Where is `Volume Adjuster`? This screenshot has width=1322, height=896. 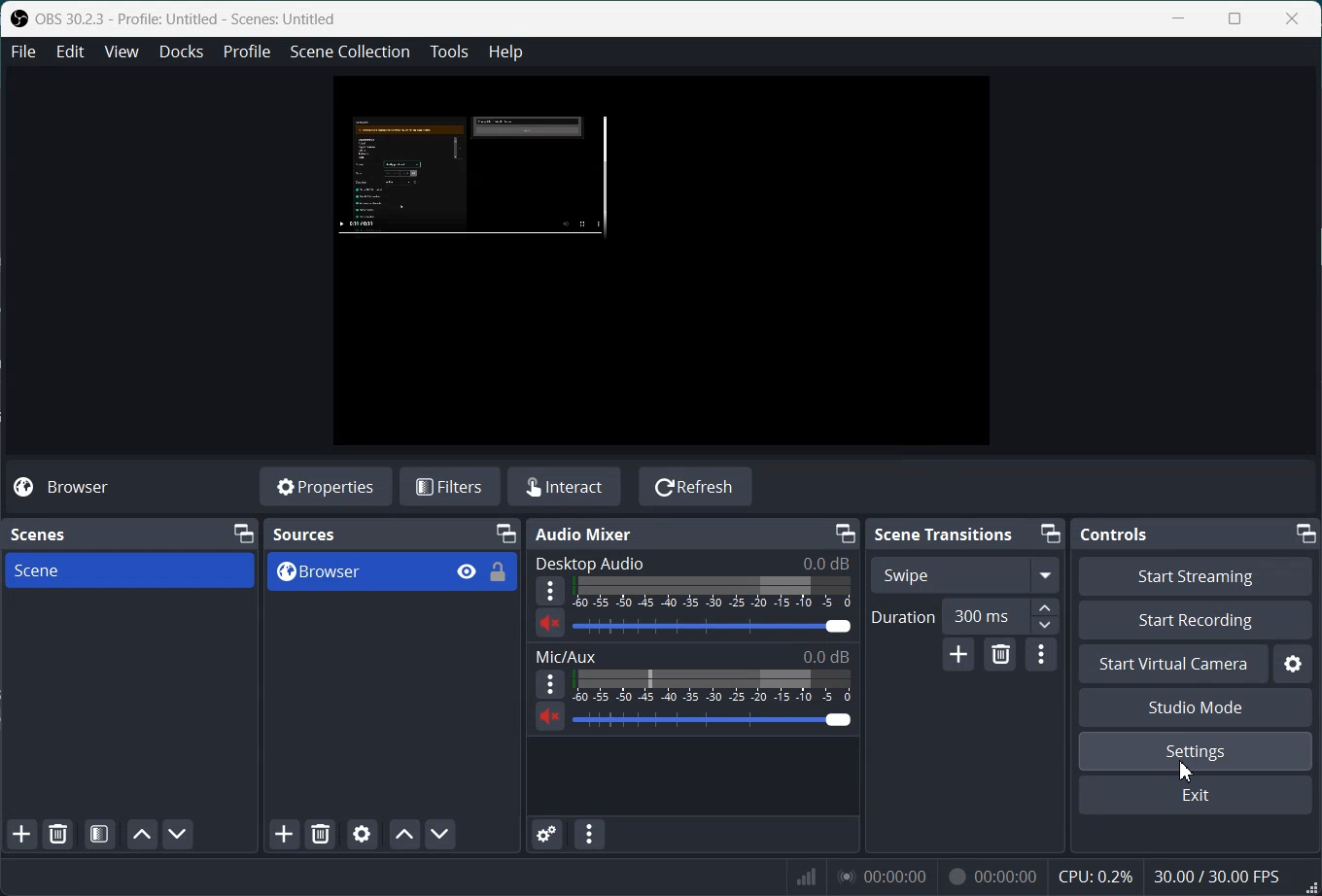
Volume Adjuster is located at coordinates (713, 719).